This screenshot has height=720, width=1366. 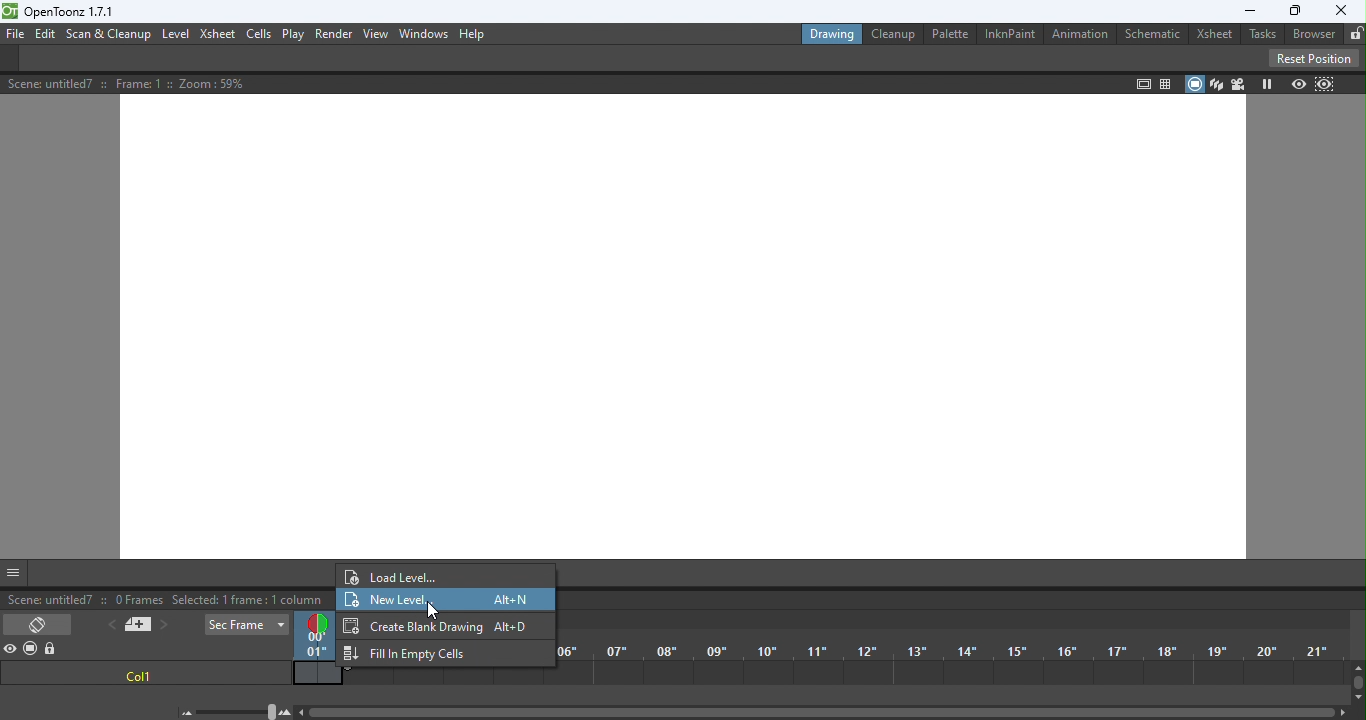 I want to click on Minimize, so click(x=1245, y=12).